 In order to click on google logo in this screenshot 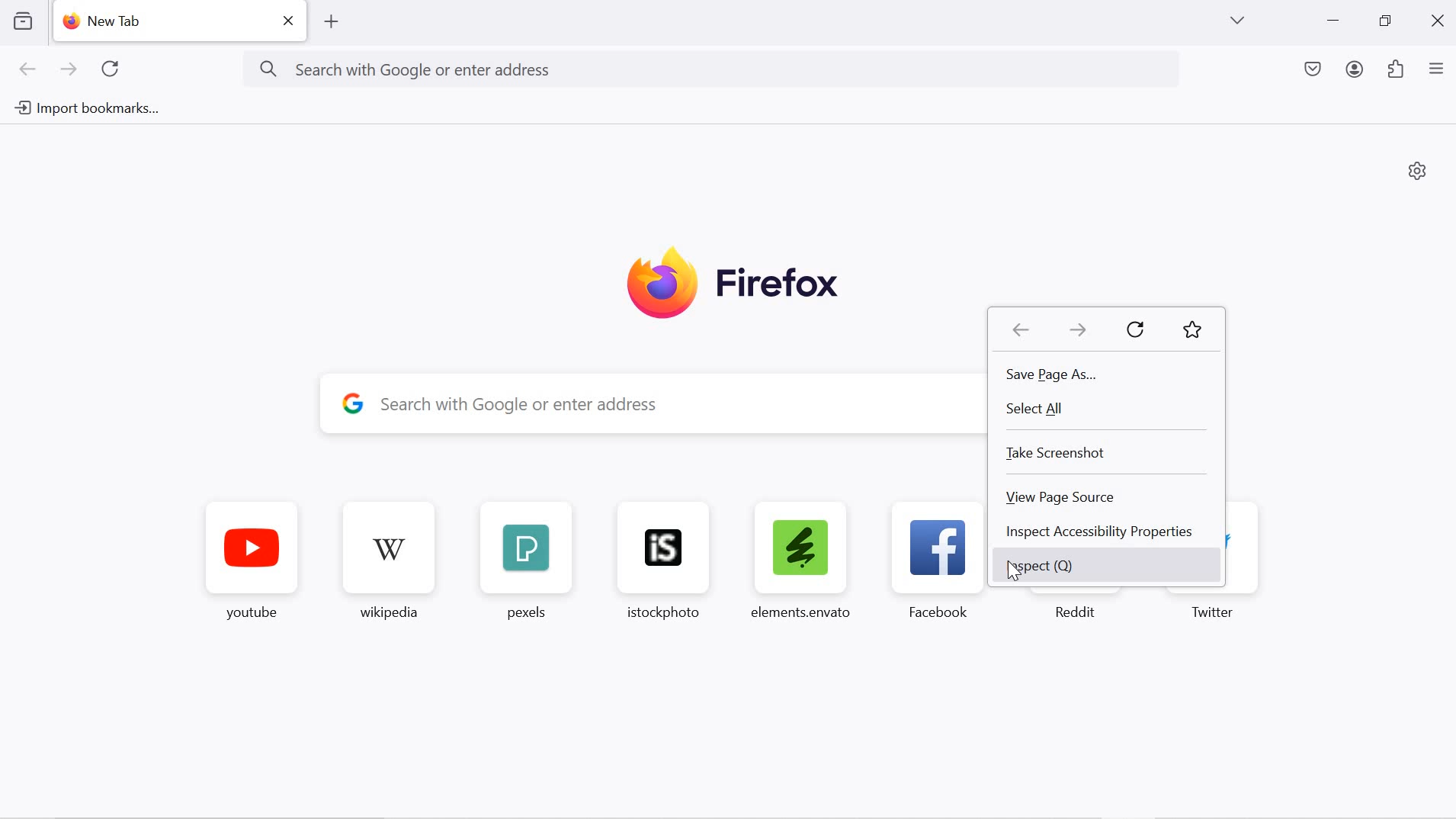, I will do `click(354, 406)`.